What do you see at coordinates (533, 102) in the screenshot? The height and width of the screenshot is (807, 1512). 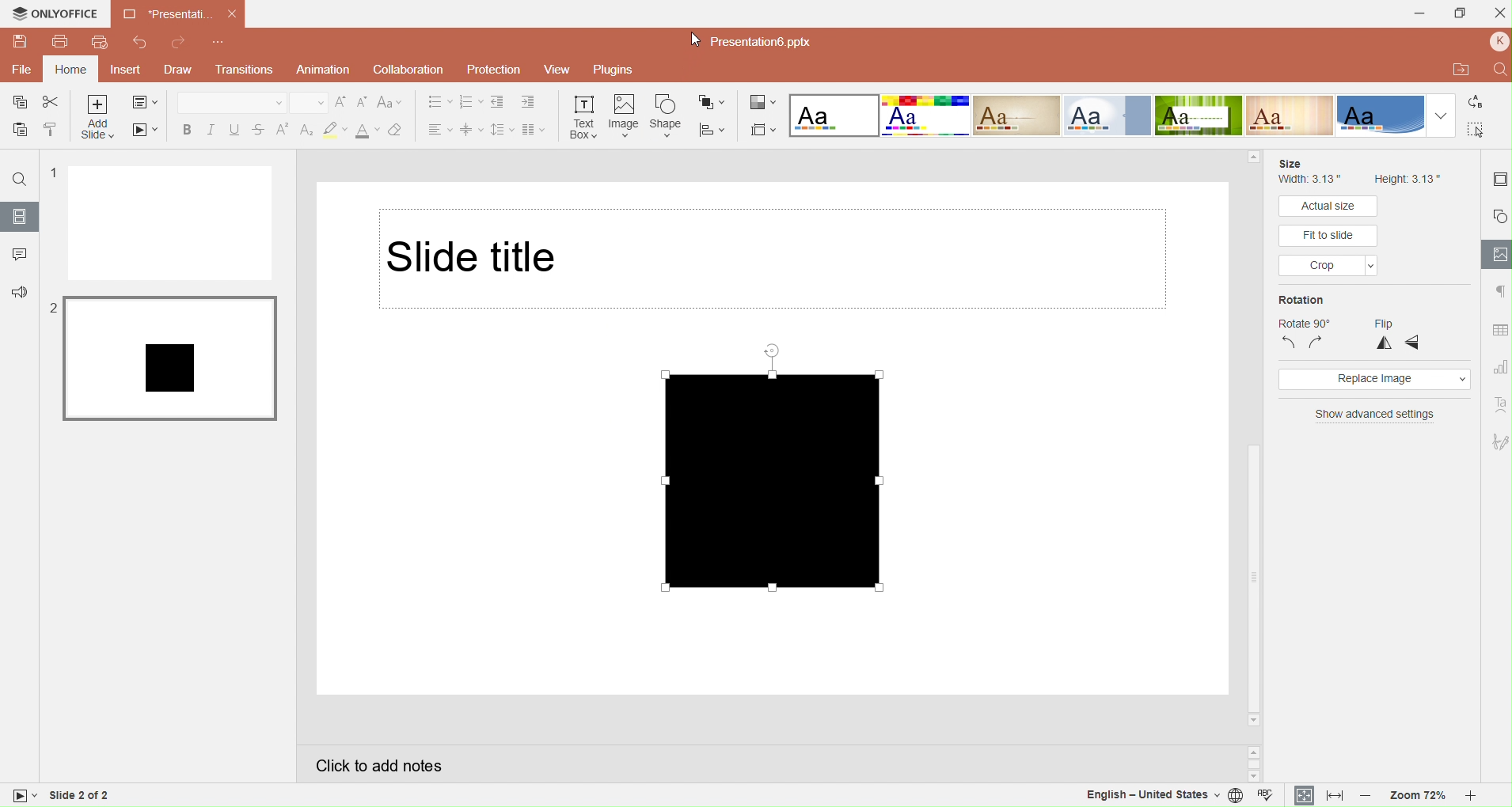 I see `Increase indent` at bounding box center [533, 102].